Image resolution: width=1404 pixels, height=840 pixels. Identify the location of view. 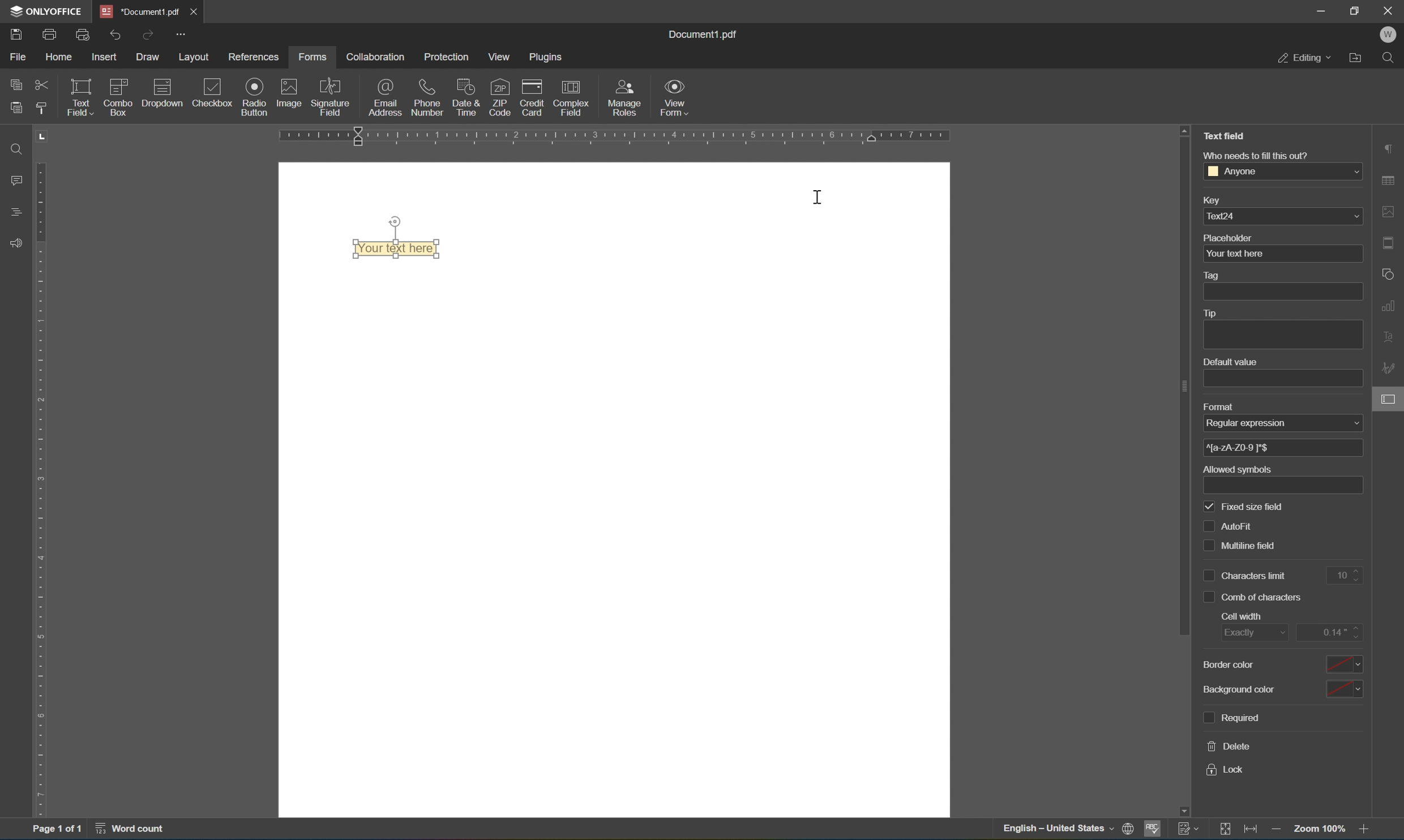
(503, 57).